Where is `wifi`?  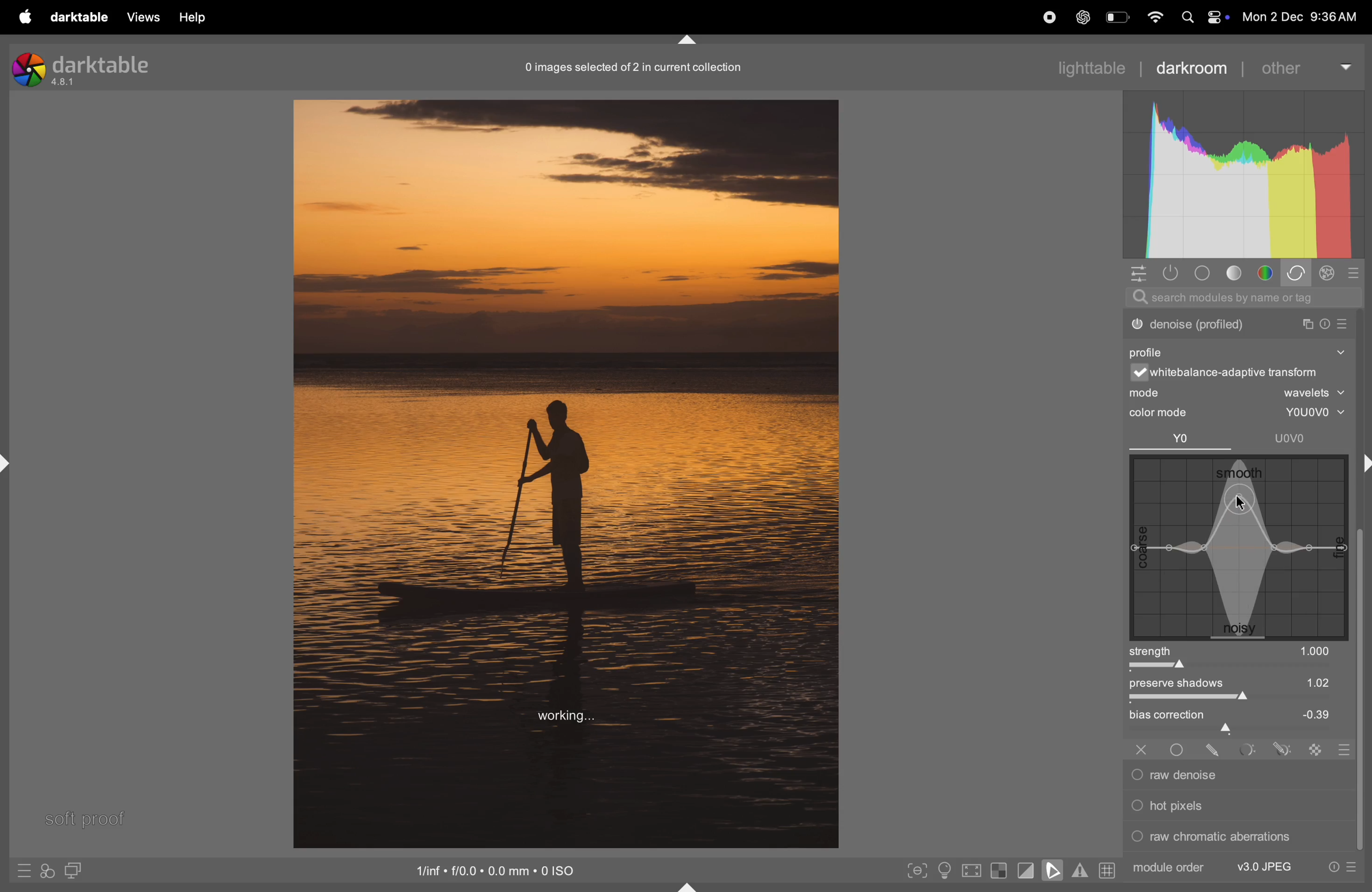 wifi is located at coordinates (1153, 17).